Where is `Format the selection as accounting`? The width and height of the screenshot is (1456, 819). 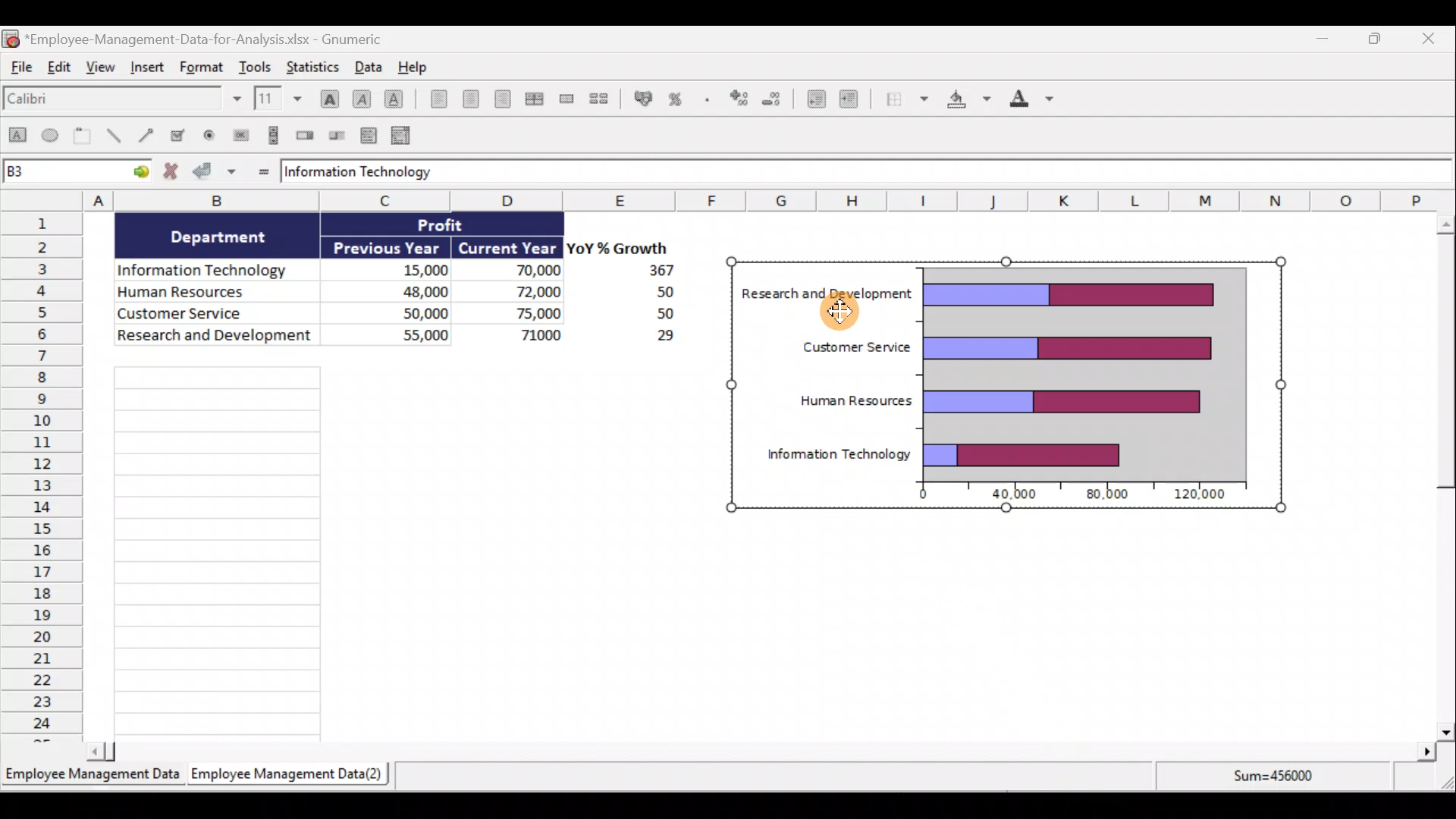 Format the selection as accounting is located at coordinates (640, 98).